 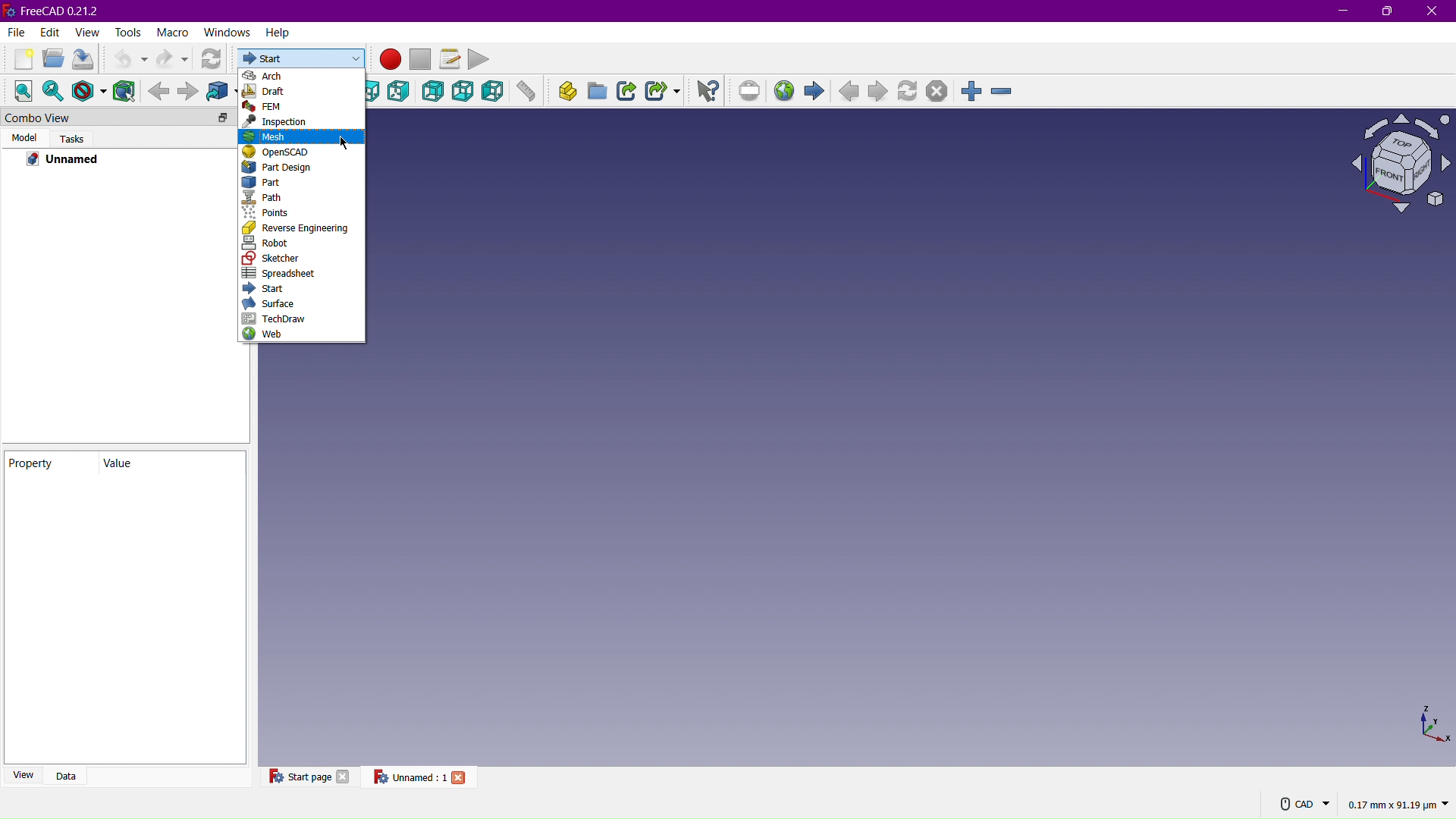 I want to click on close, so click(x=461, y=777).